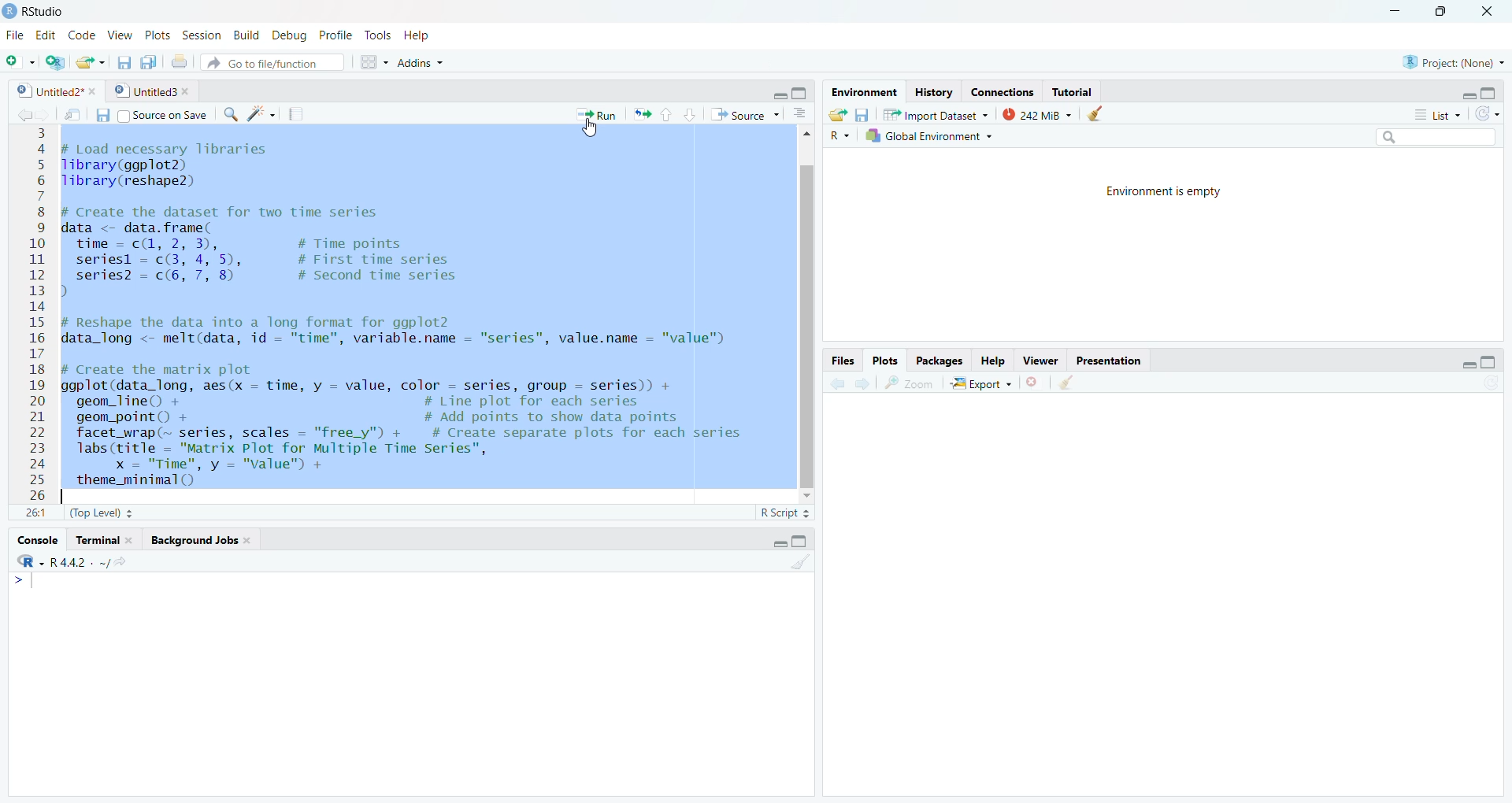  I want to click on List, so click(1440, 115).